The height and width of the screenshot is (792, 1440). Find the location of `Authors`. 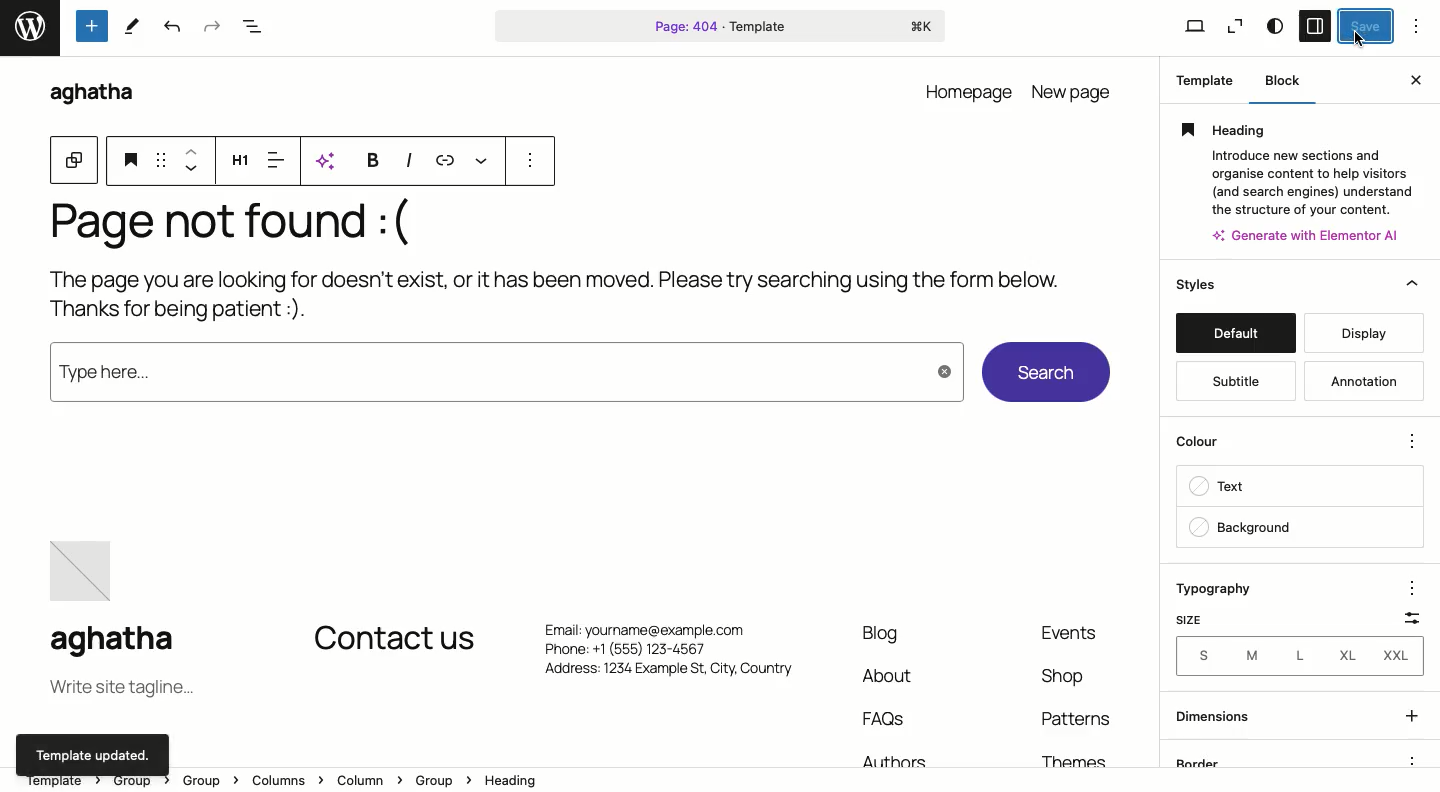

Authors is located at coordinates (889, 758).